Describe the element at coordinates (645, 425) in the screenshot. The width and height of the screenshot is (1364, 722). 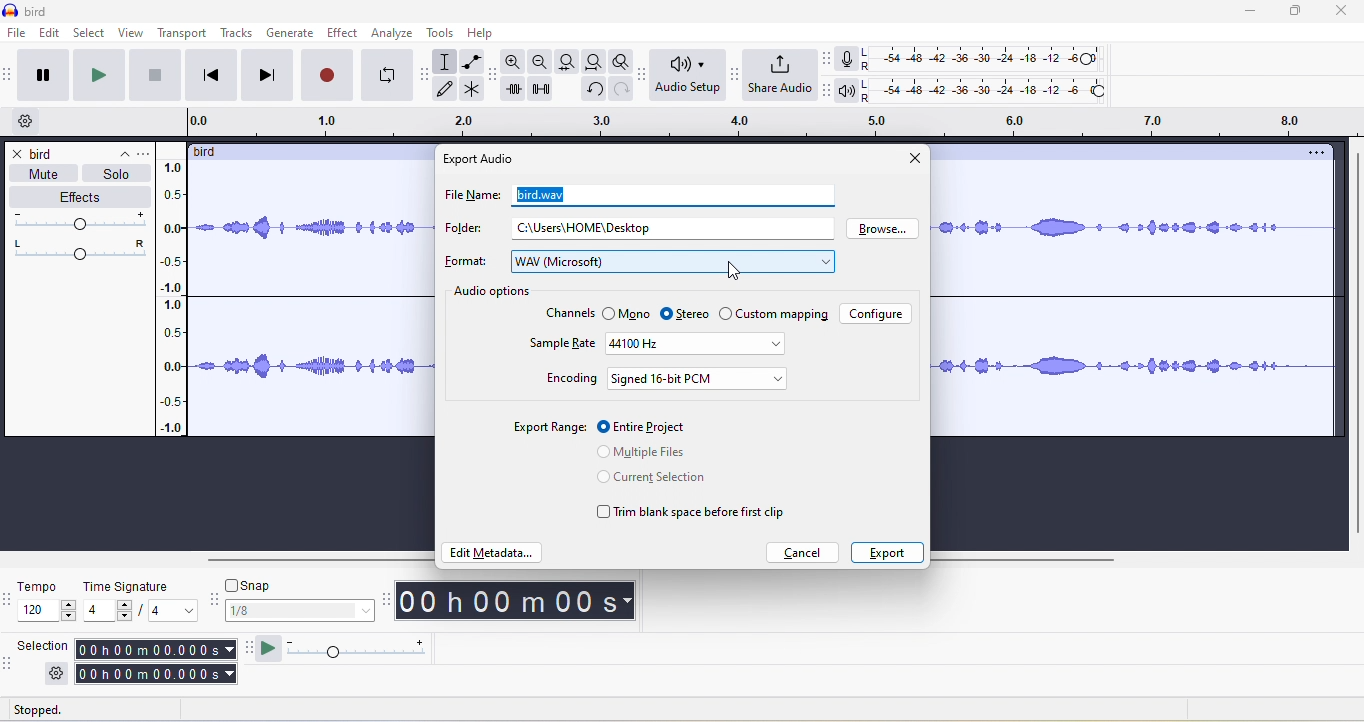
I see `entire project` at that location.